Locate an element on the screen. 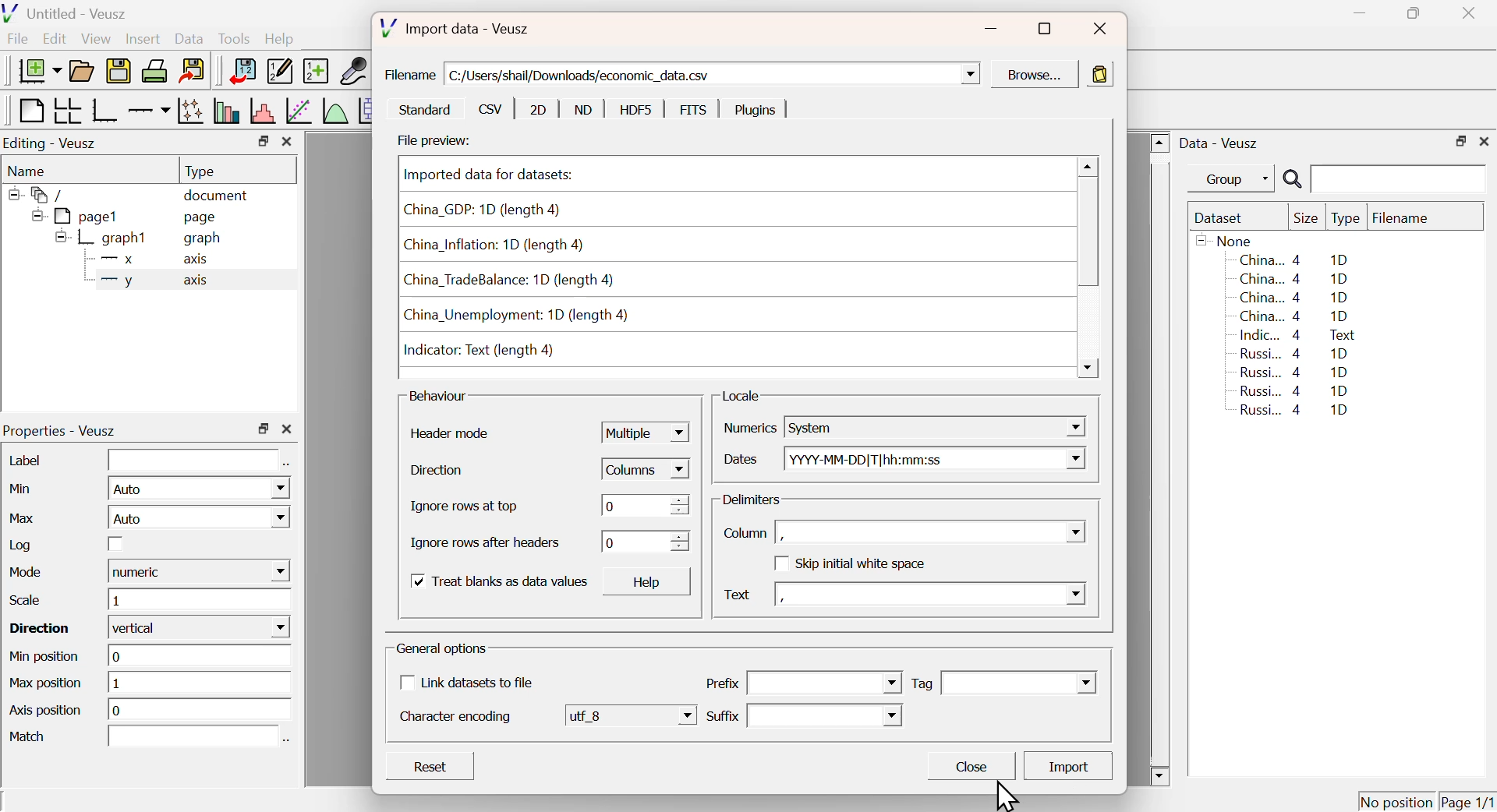 The image size is (1497, 812). Select using dataset Browser is located at coordinates (287, 740).